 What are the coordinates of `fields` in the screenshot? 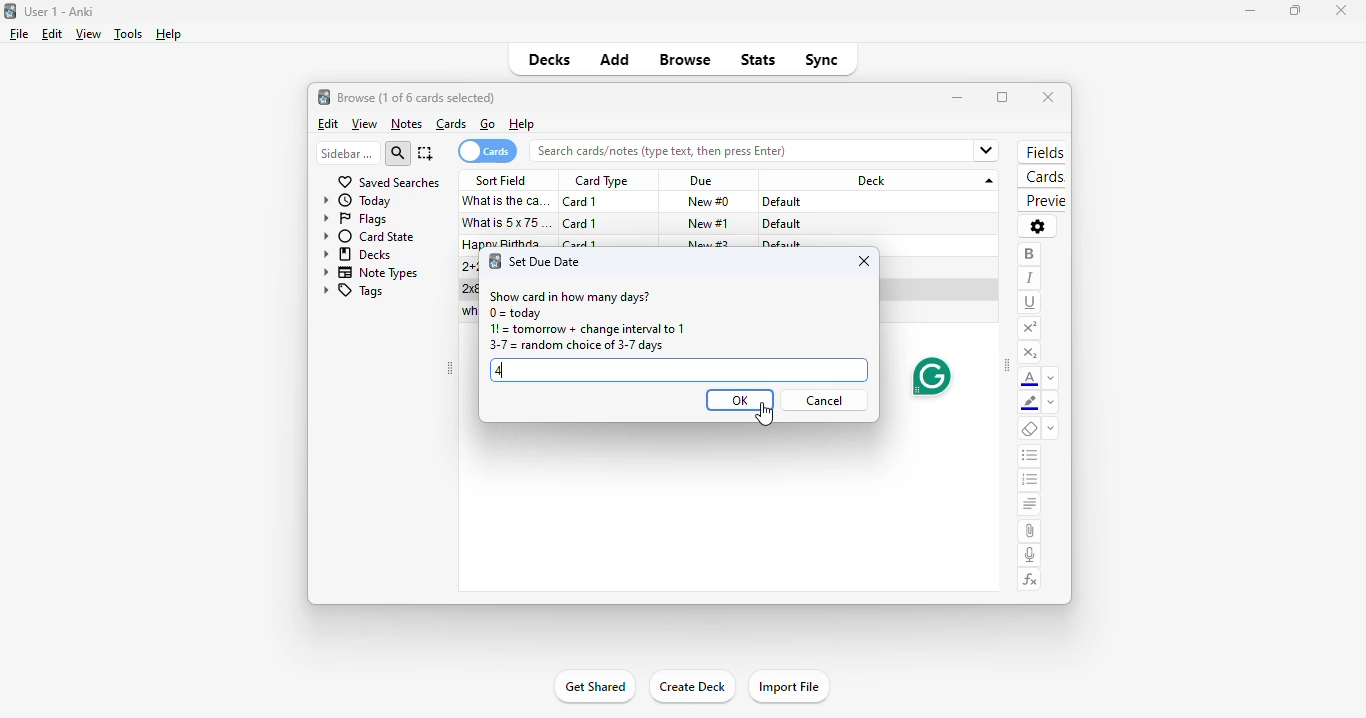 It's located at (1042, 153).